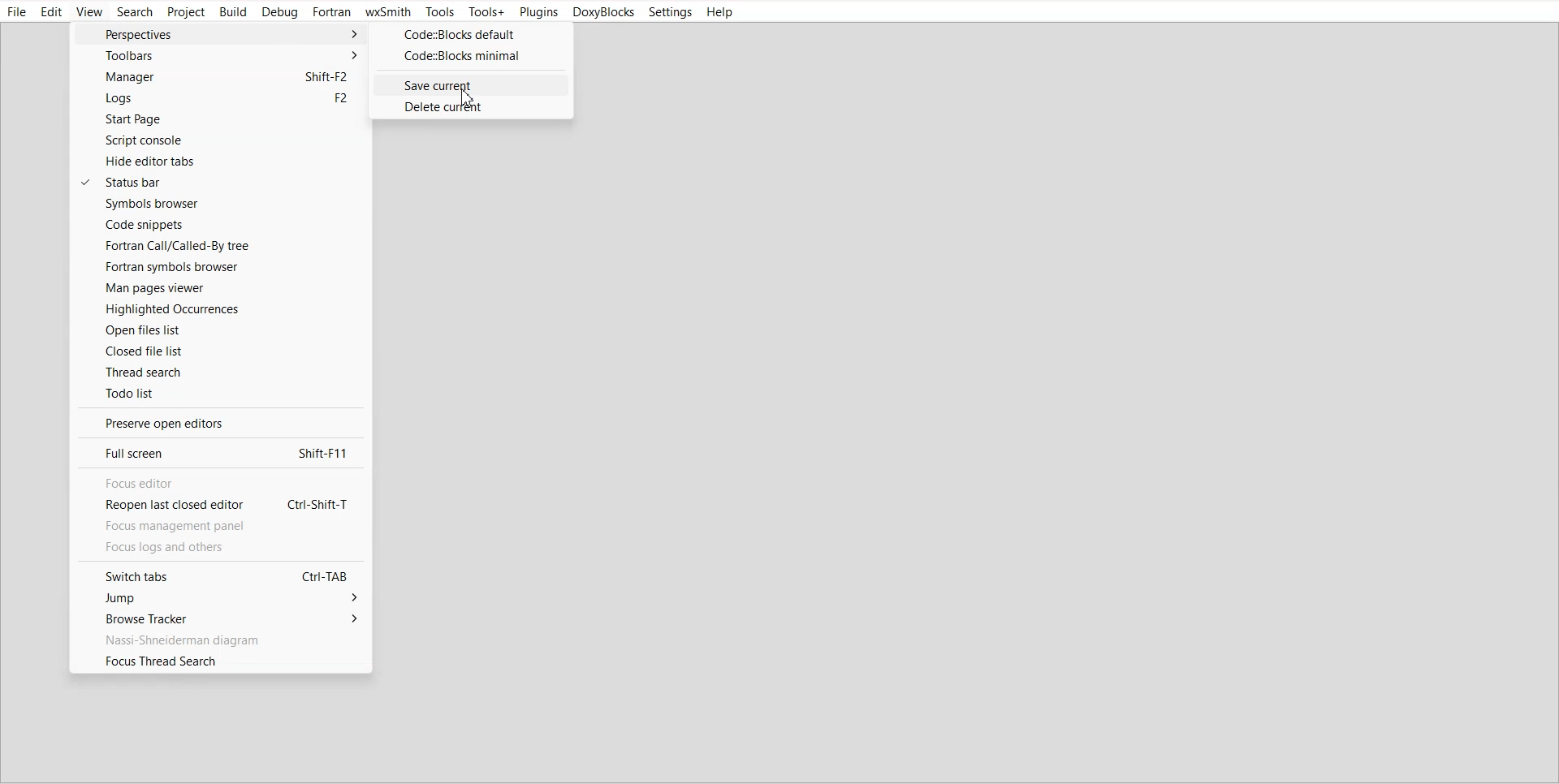 Image resolution: width=1559 pixels, height=784 pixels. What do you see at coordinates (219, 308) in the screenshot?
I see `Highlighted Occurrences` at bounding box center [219, 308].